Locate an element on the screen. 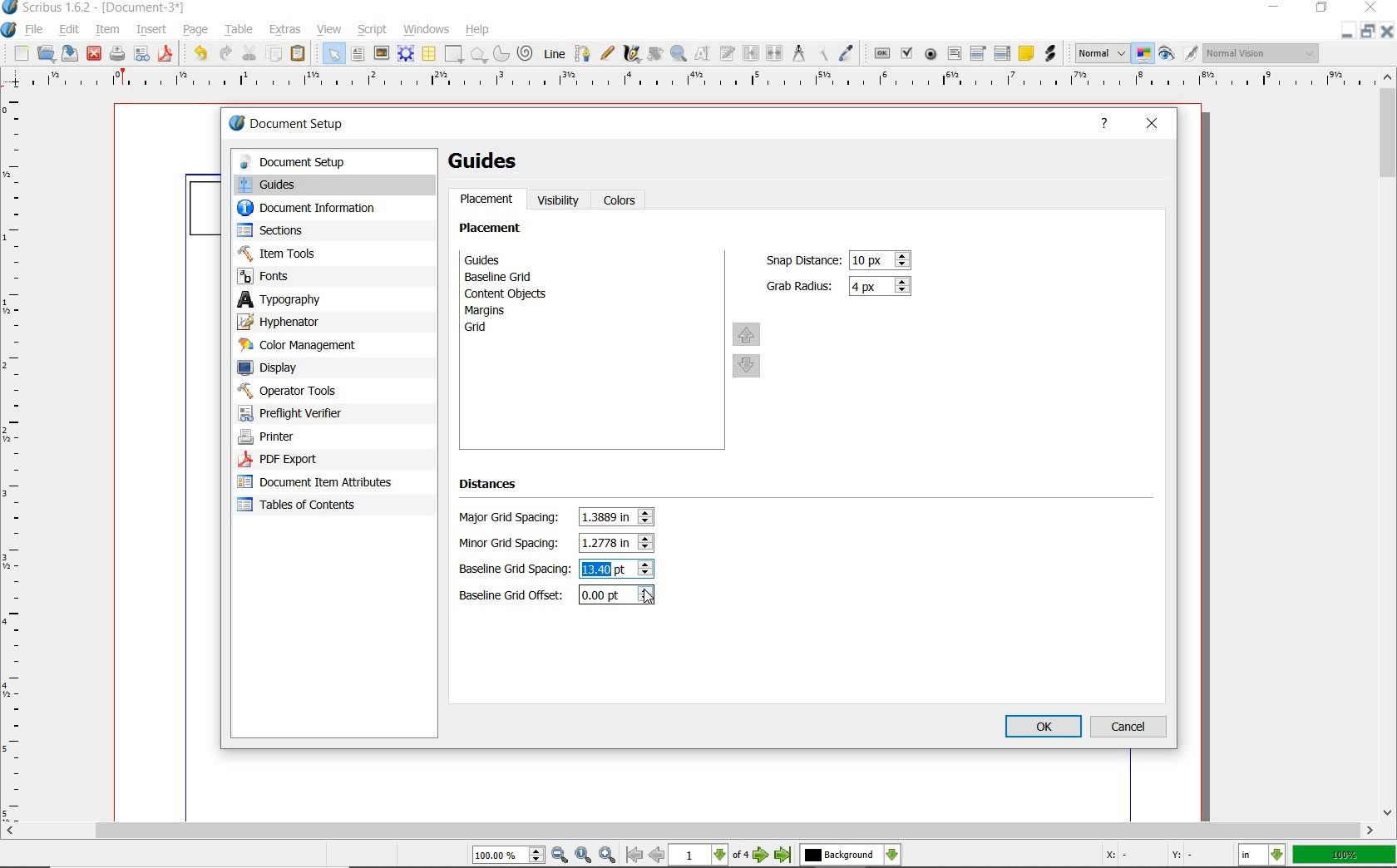  cursor is located at coordinates (649, 598).